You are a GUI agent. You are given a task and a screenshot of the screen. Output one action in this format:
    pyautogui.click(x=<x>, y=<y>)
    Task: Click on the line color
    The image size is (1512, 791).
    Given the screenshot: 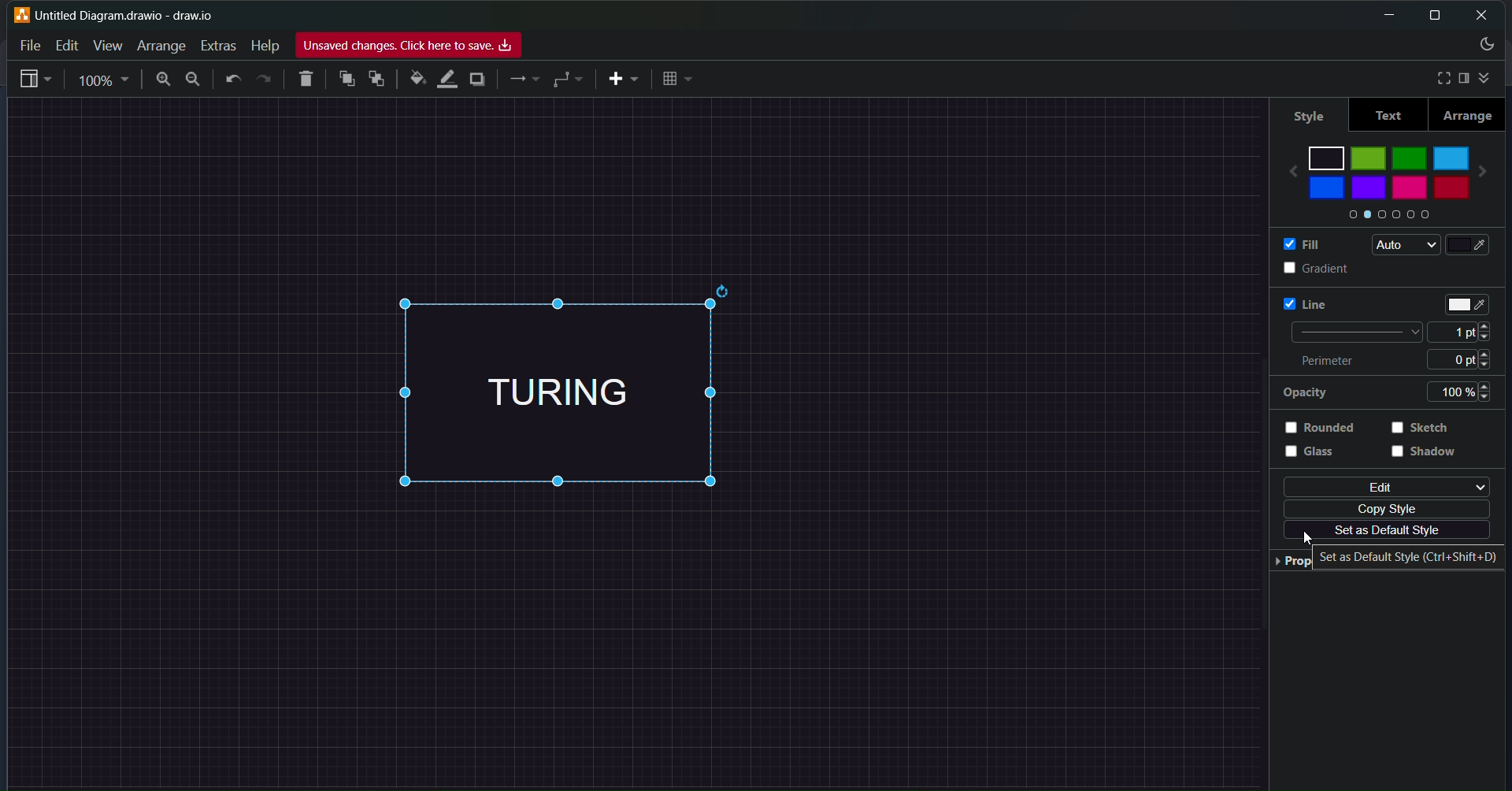 What is the action you would take?
    pyautogui.click(x=447, y=77)
    